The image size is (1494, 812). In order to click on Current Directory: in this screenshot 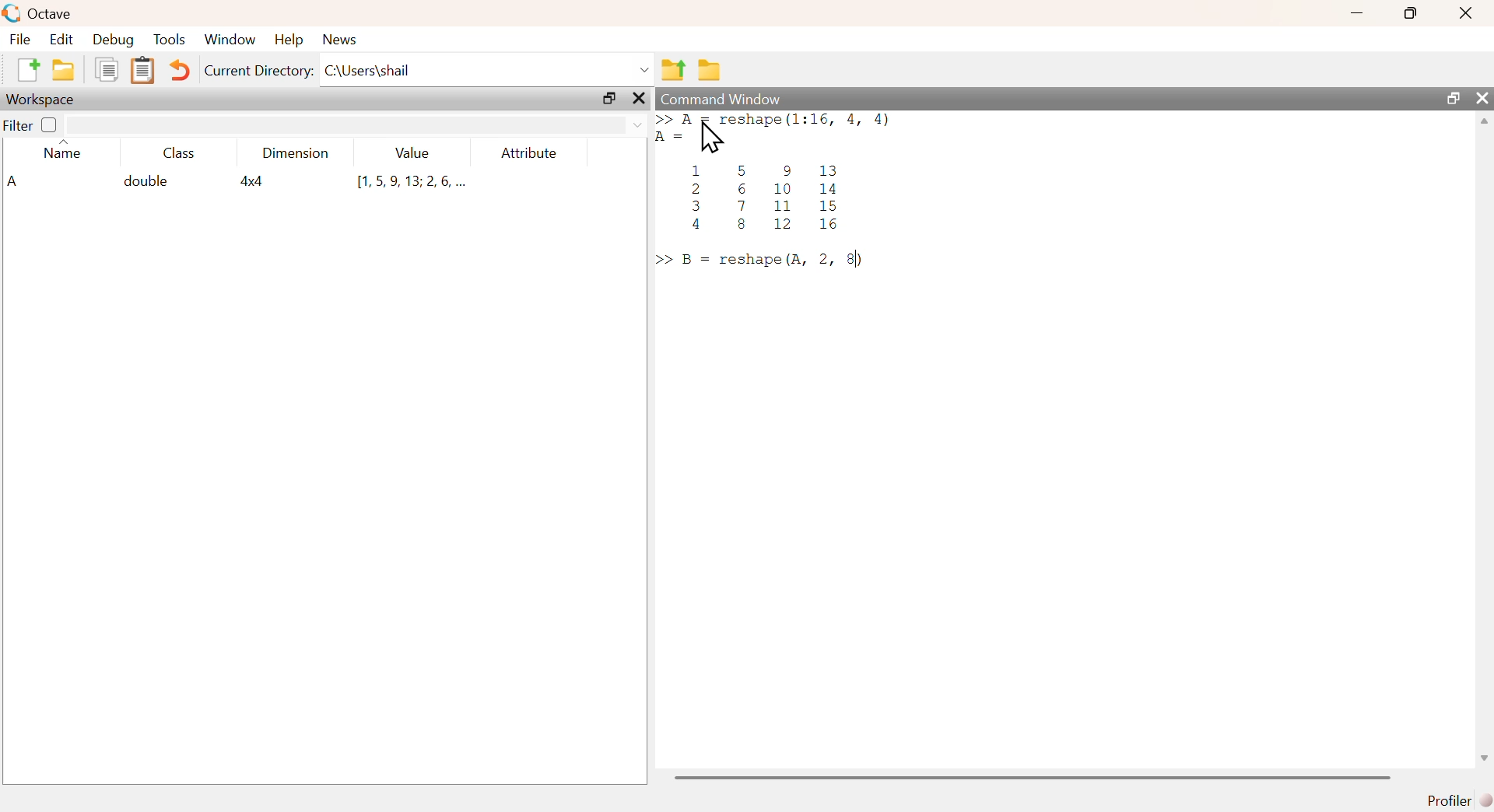, I will do `click(256, 72)`.